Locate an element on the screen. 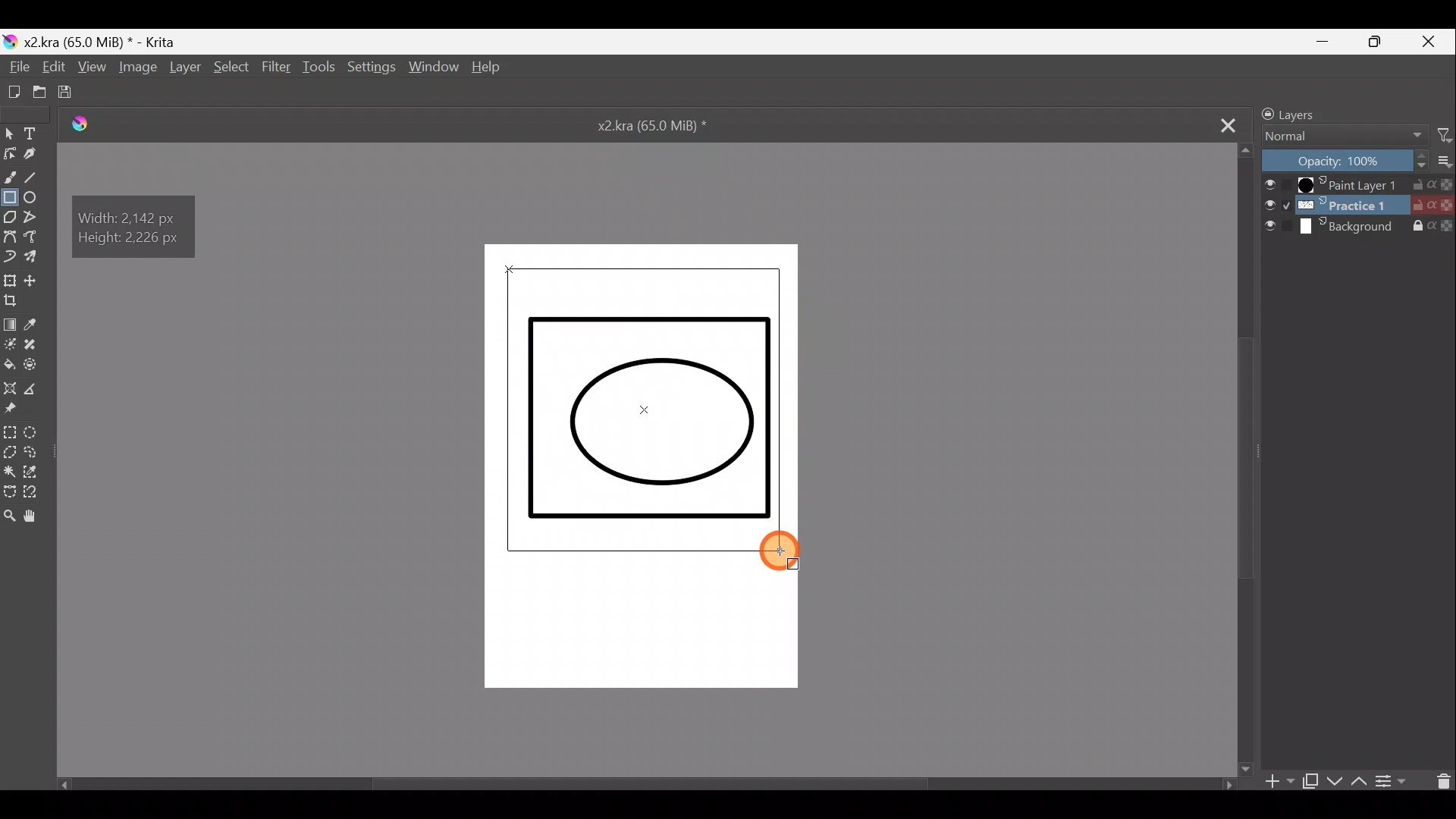  Close is located at coordinates (1434, 40).